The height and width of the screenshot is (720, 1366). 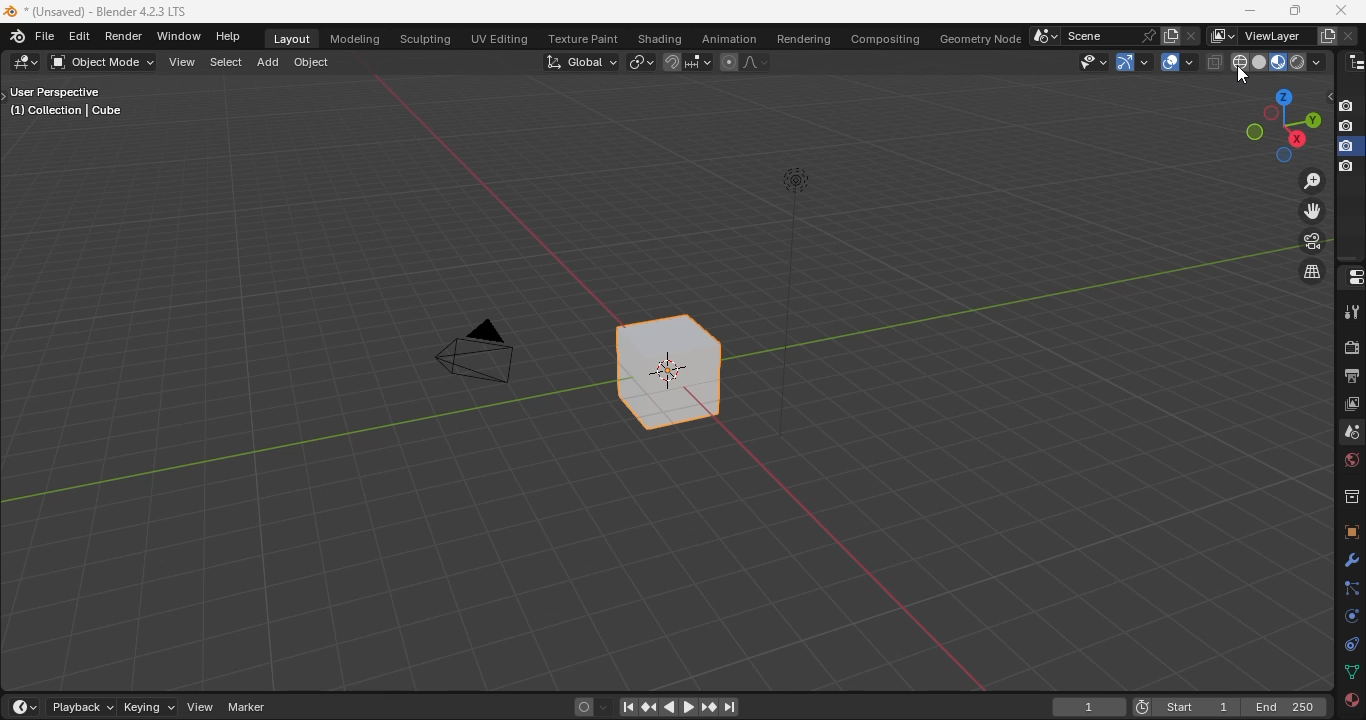 I want to click on minimize, so click(x=1250, y=10).